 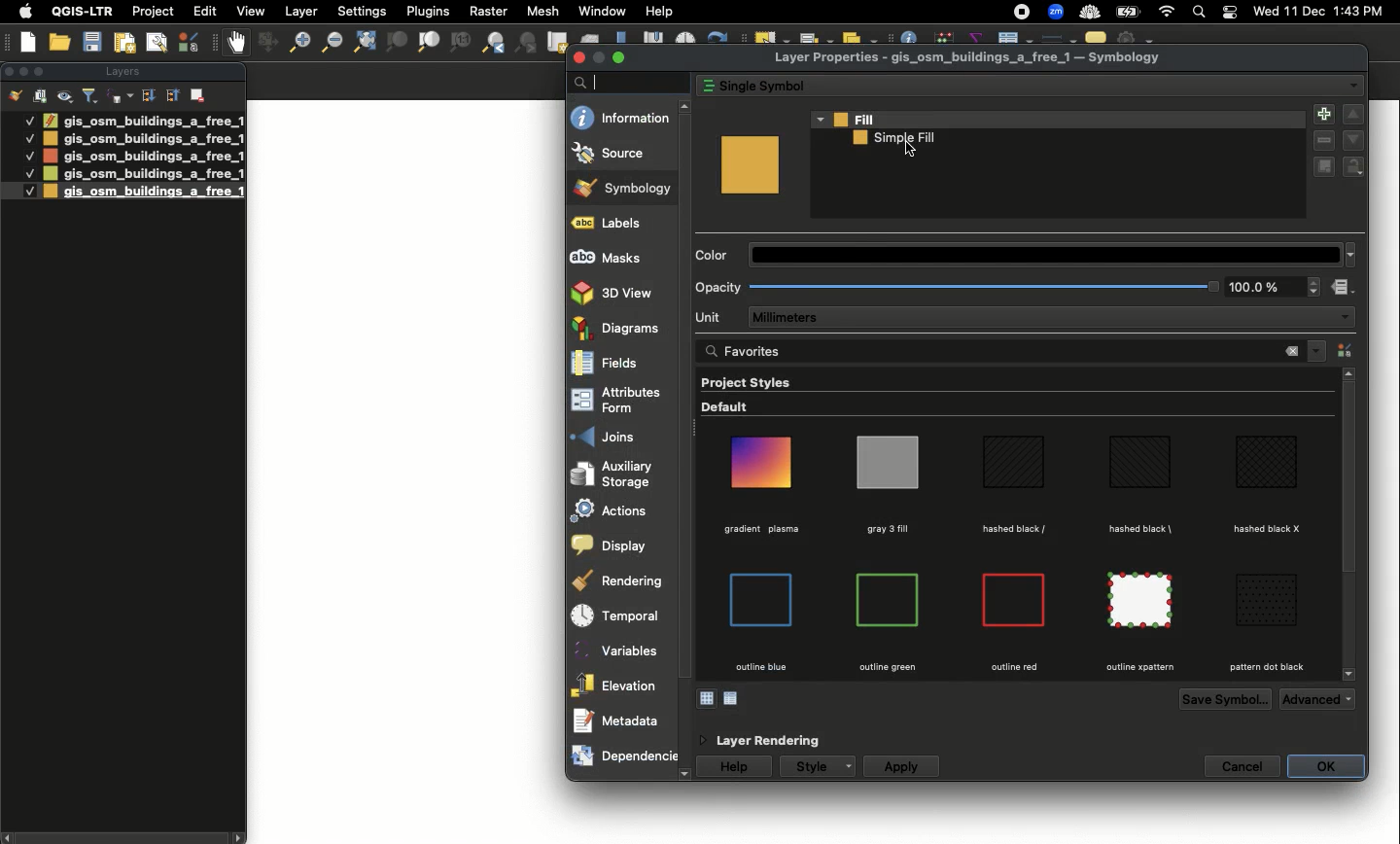 I want to click on , so click(x=1346, y=349).